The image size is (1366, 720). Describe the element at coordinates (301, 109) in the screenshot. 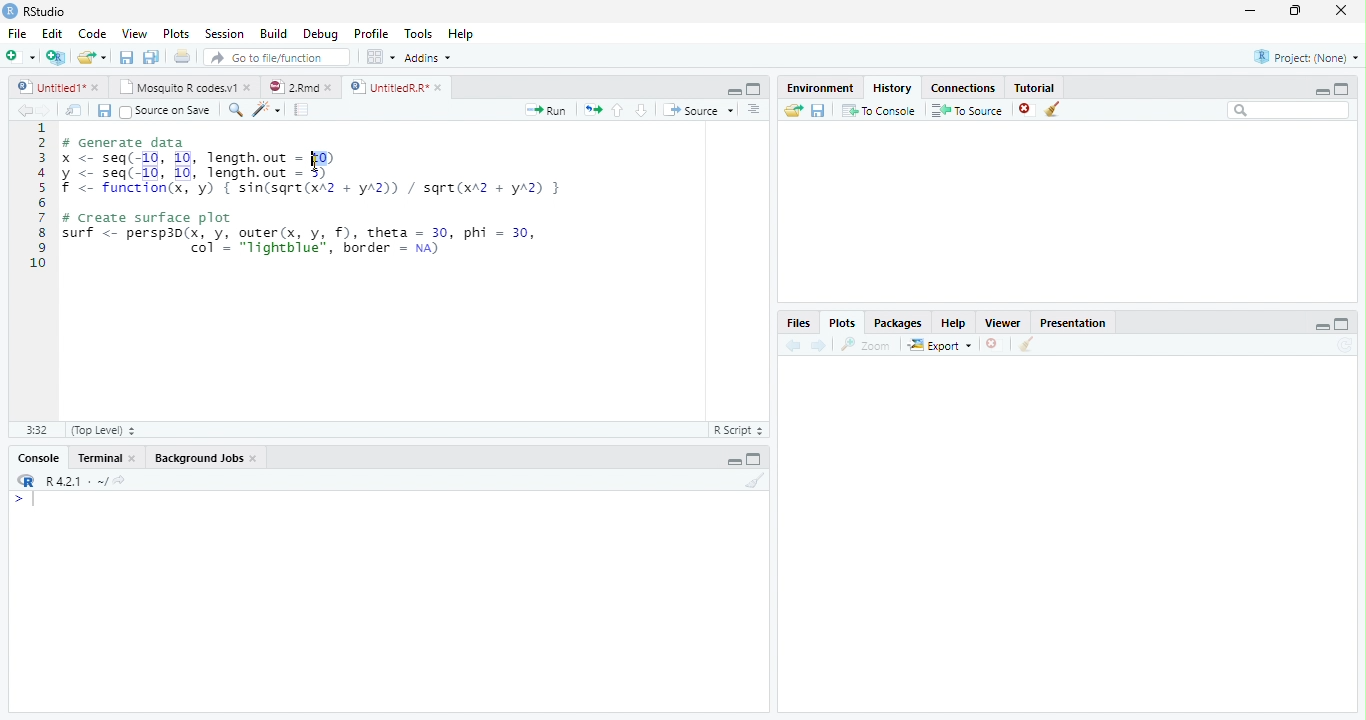

I see `Compile Report` at that location.